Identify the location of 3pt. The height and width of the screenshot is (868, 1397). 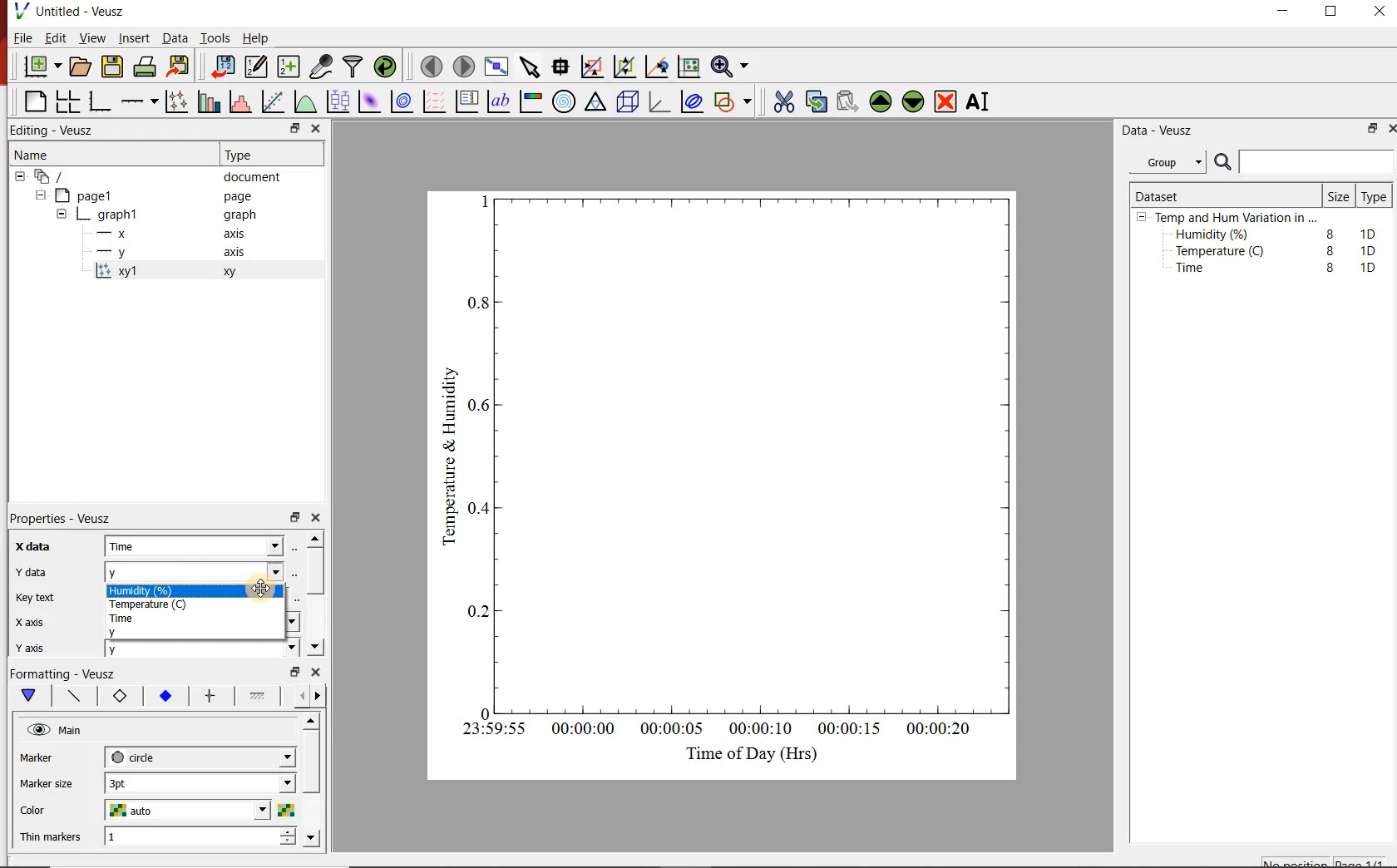
(137, 782).